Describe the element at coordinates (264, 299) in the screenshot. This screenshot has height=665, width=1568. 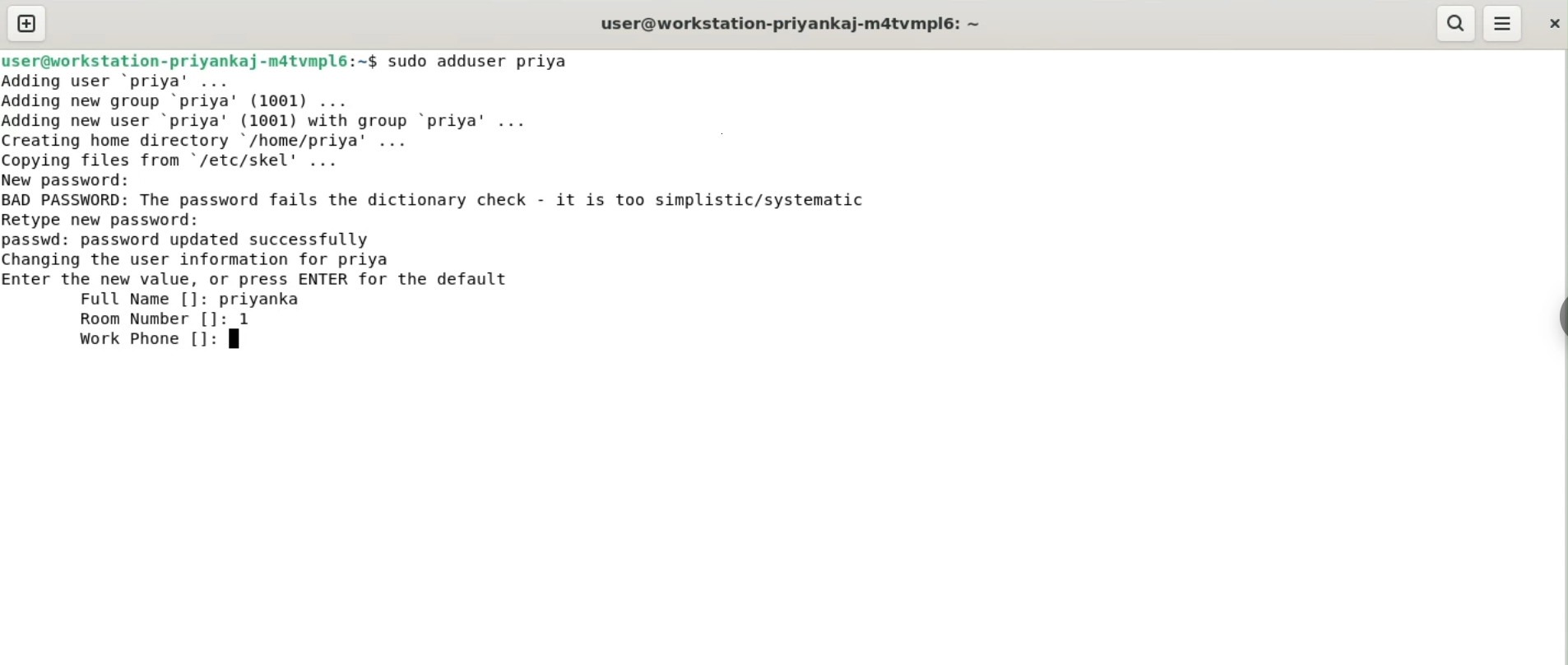
I see `priyanka` at that location.